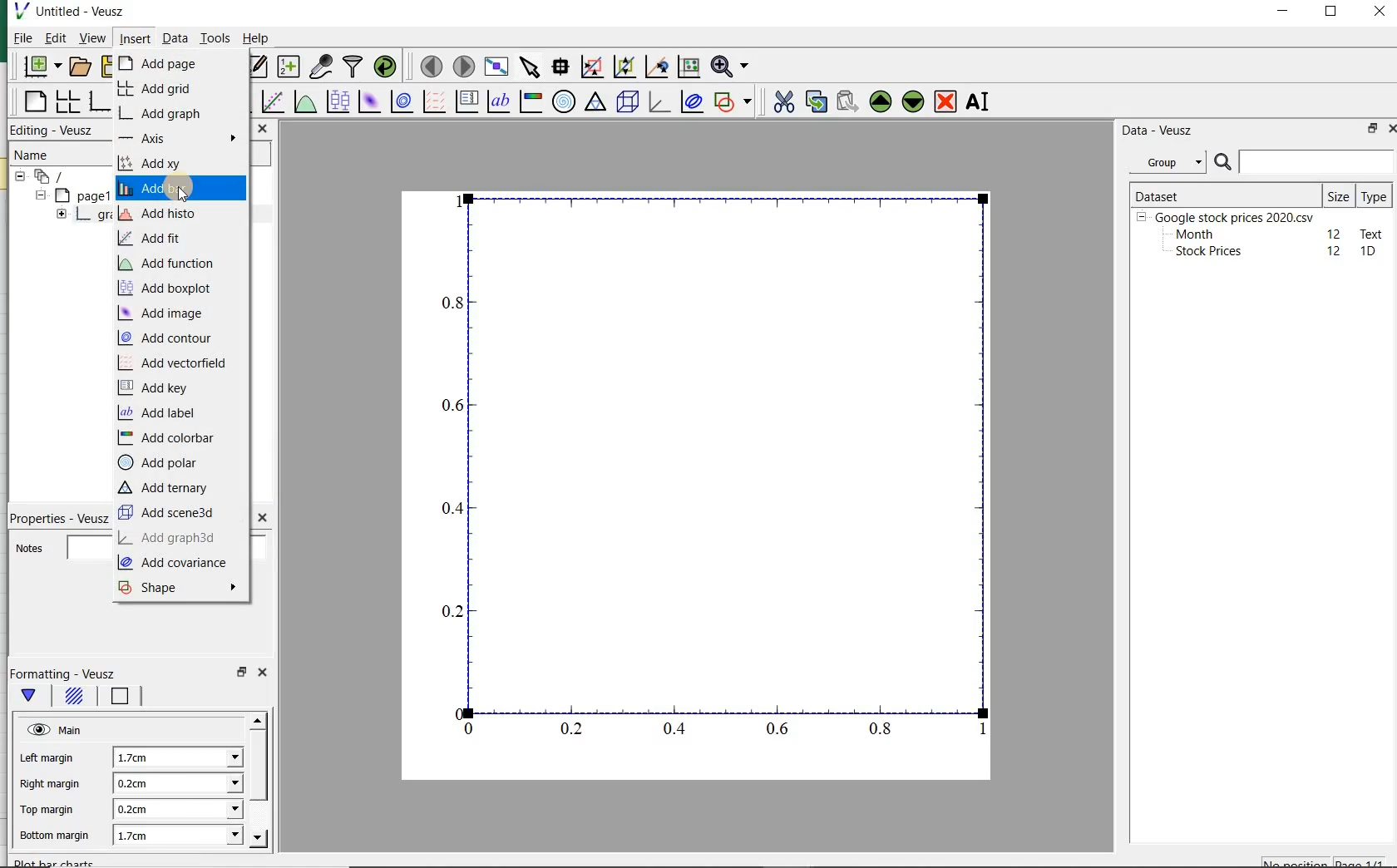 The image size is (1397, 868). Describe the element at coordinates (181, 589) in the screenshot. I see `shape` at that location.